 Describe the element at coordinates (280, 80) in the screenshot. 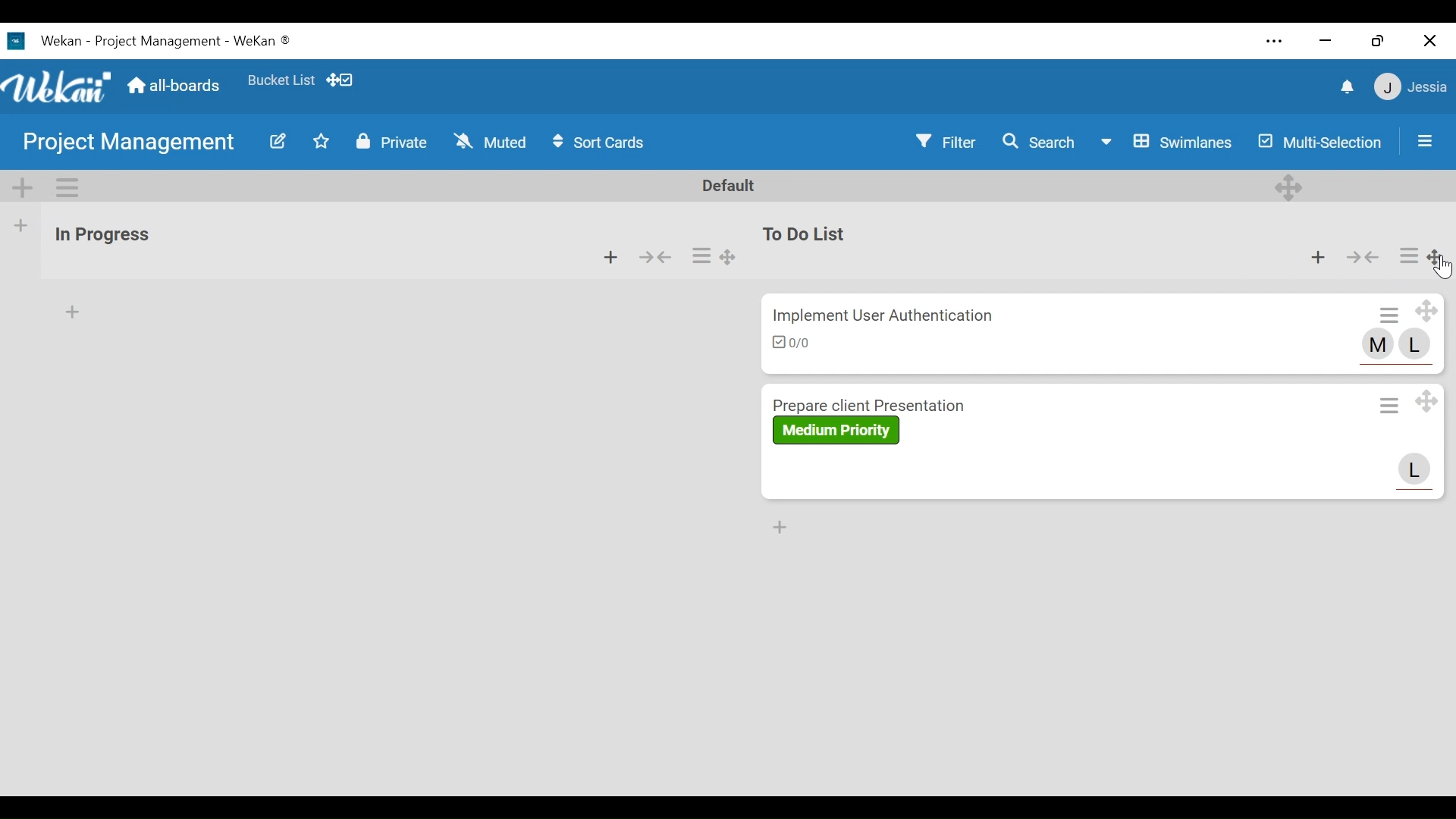

I see `Favorite` at that location.